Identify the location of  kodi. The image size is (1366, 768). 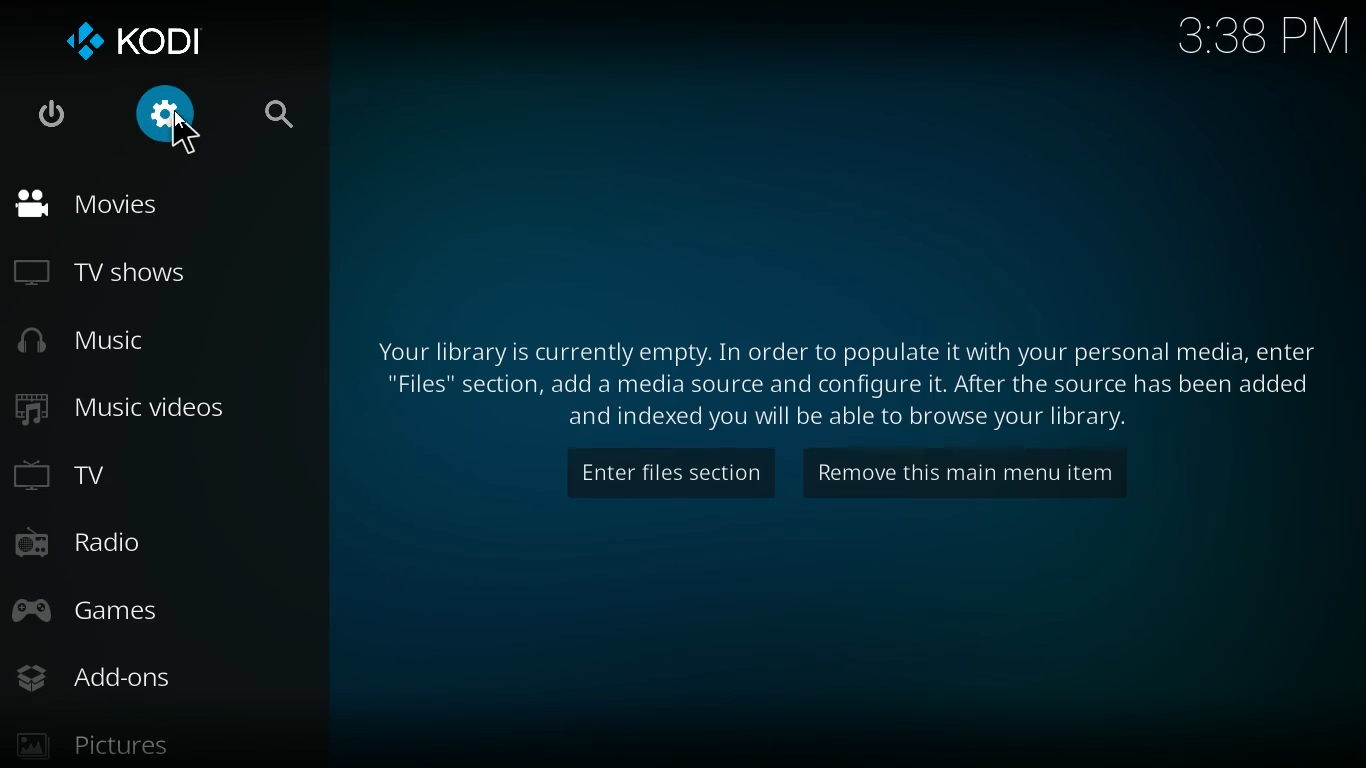
(143, 41).